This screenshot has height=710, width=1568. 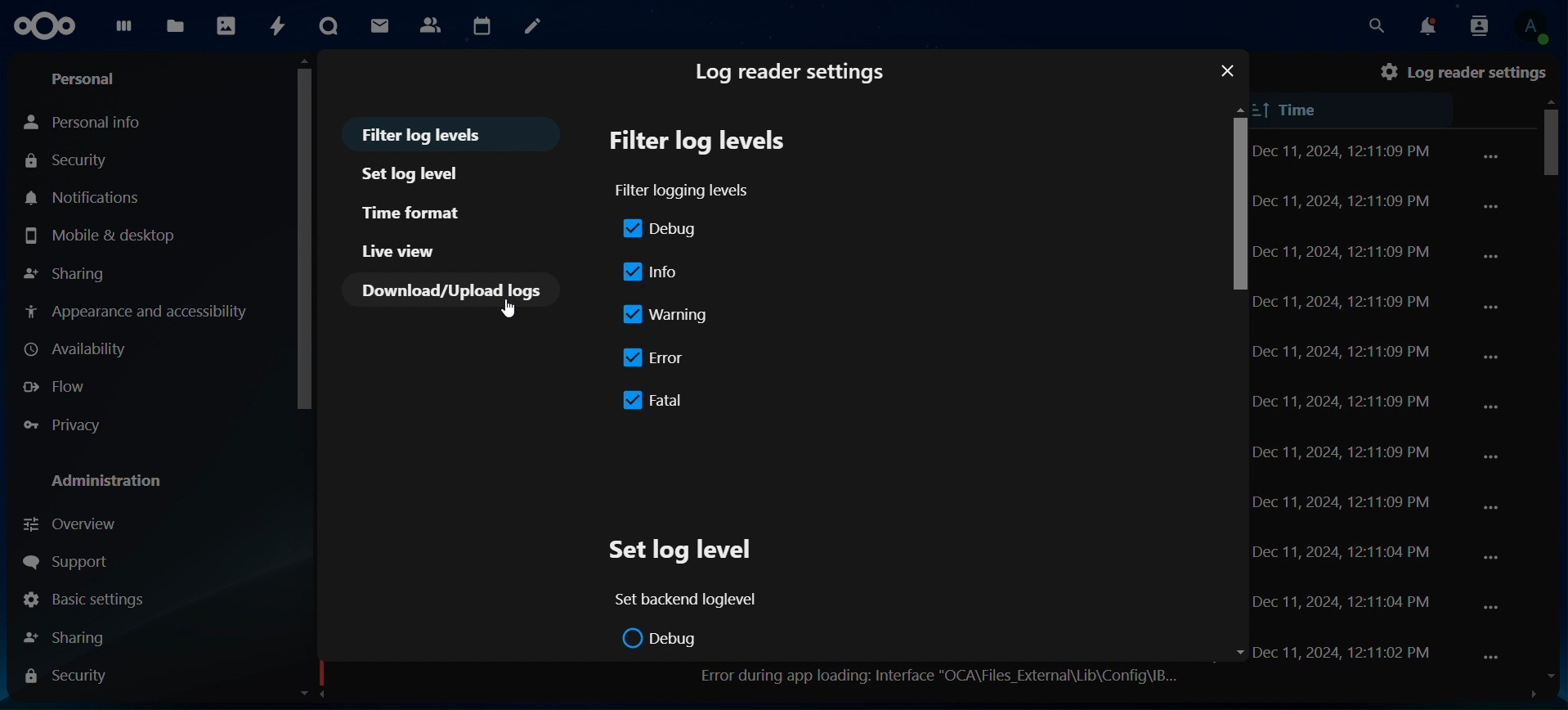 I want to click on support, so click(x=65, y=561).